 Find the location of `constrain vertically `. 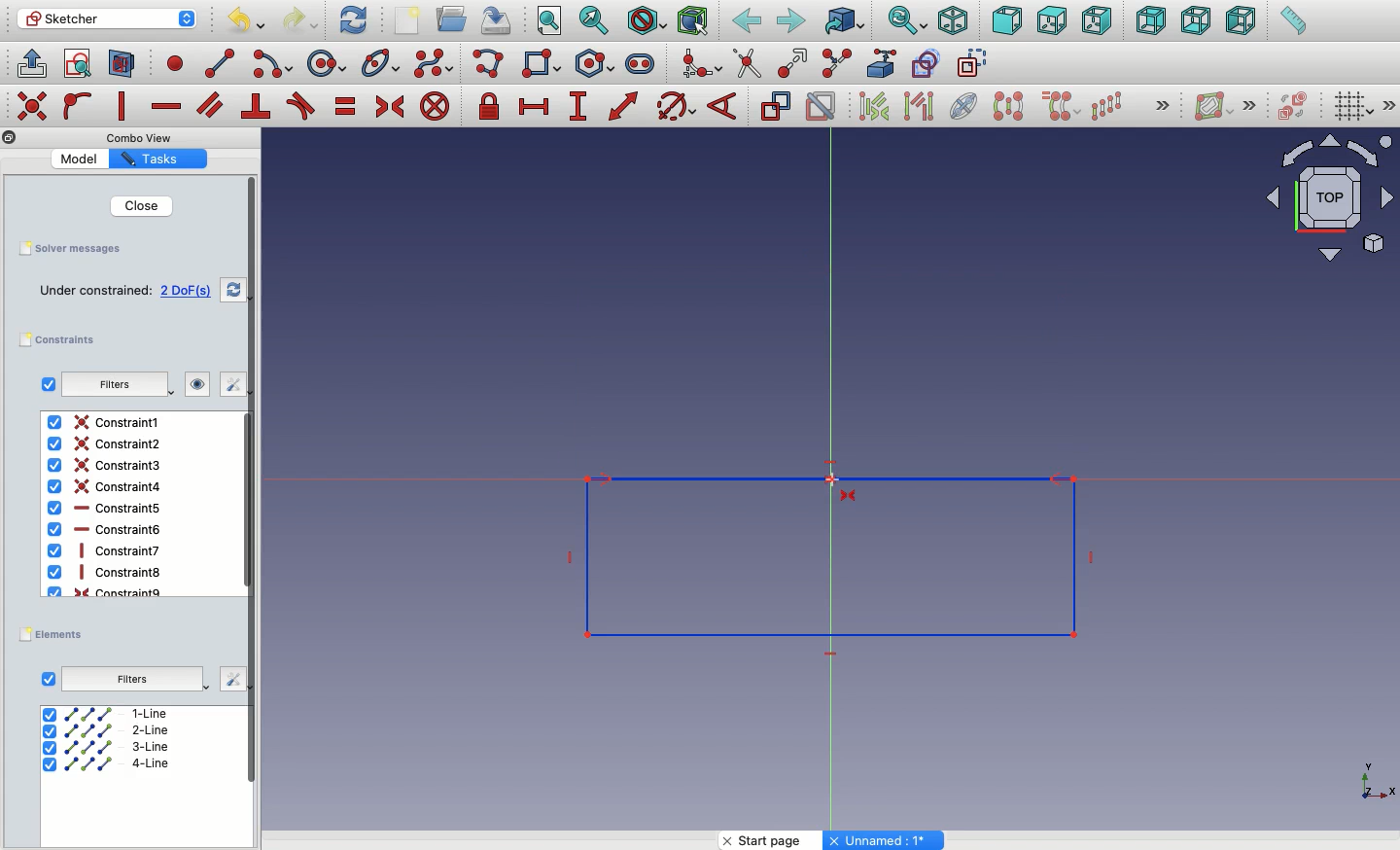

constrain vertically  is located at coordinates (126, 107).